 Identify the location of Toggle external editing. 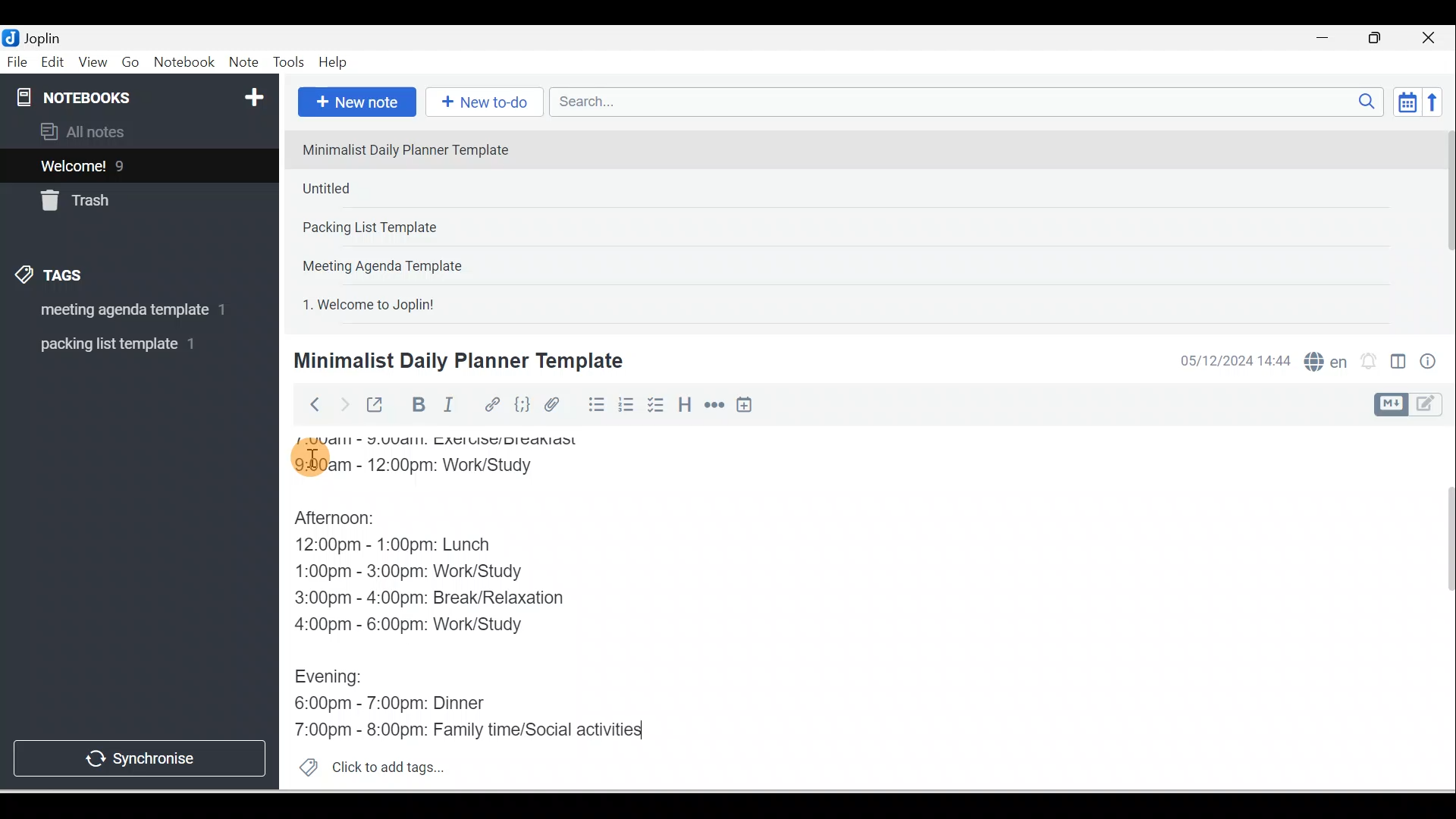
(377, 408).